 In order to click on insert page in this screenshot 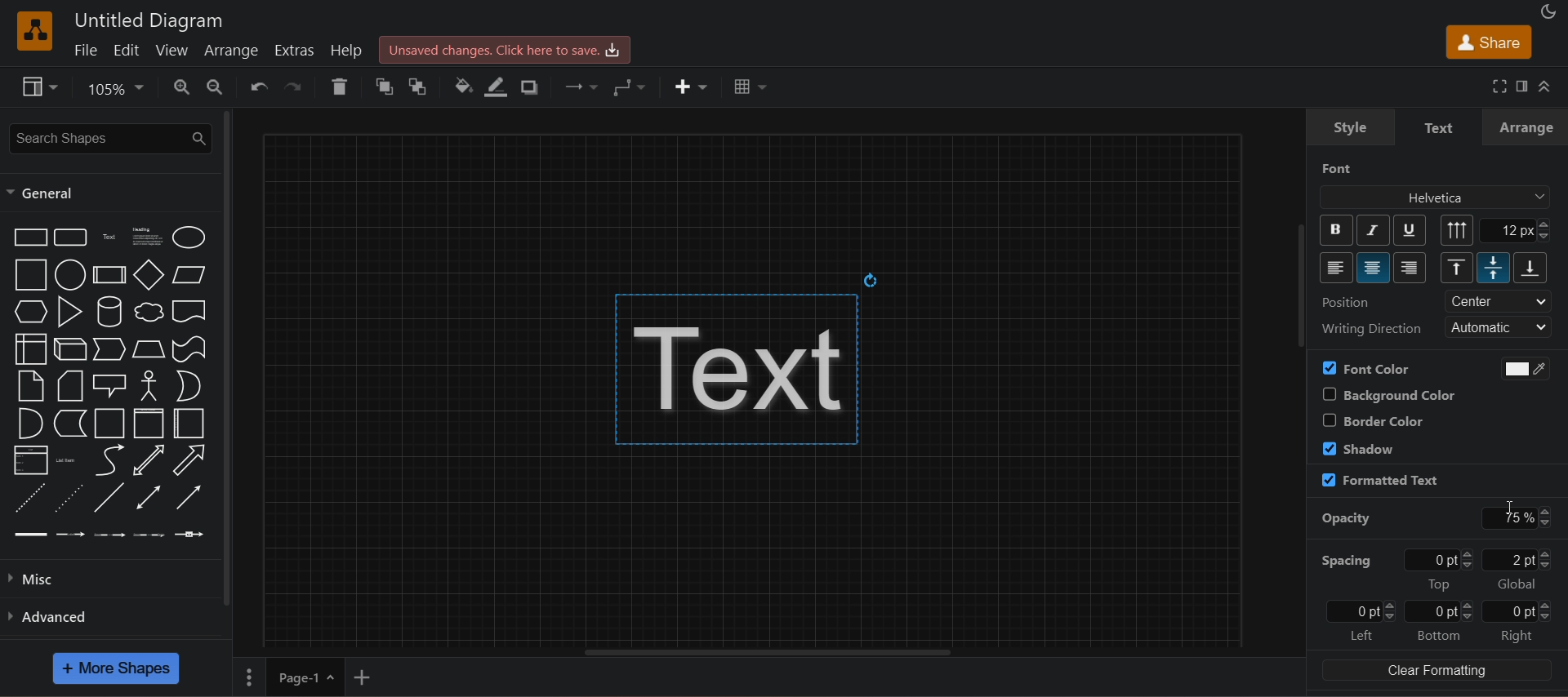, I will do `click(362, 677)`.